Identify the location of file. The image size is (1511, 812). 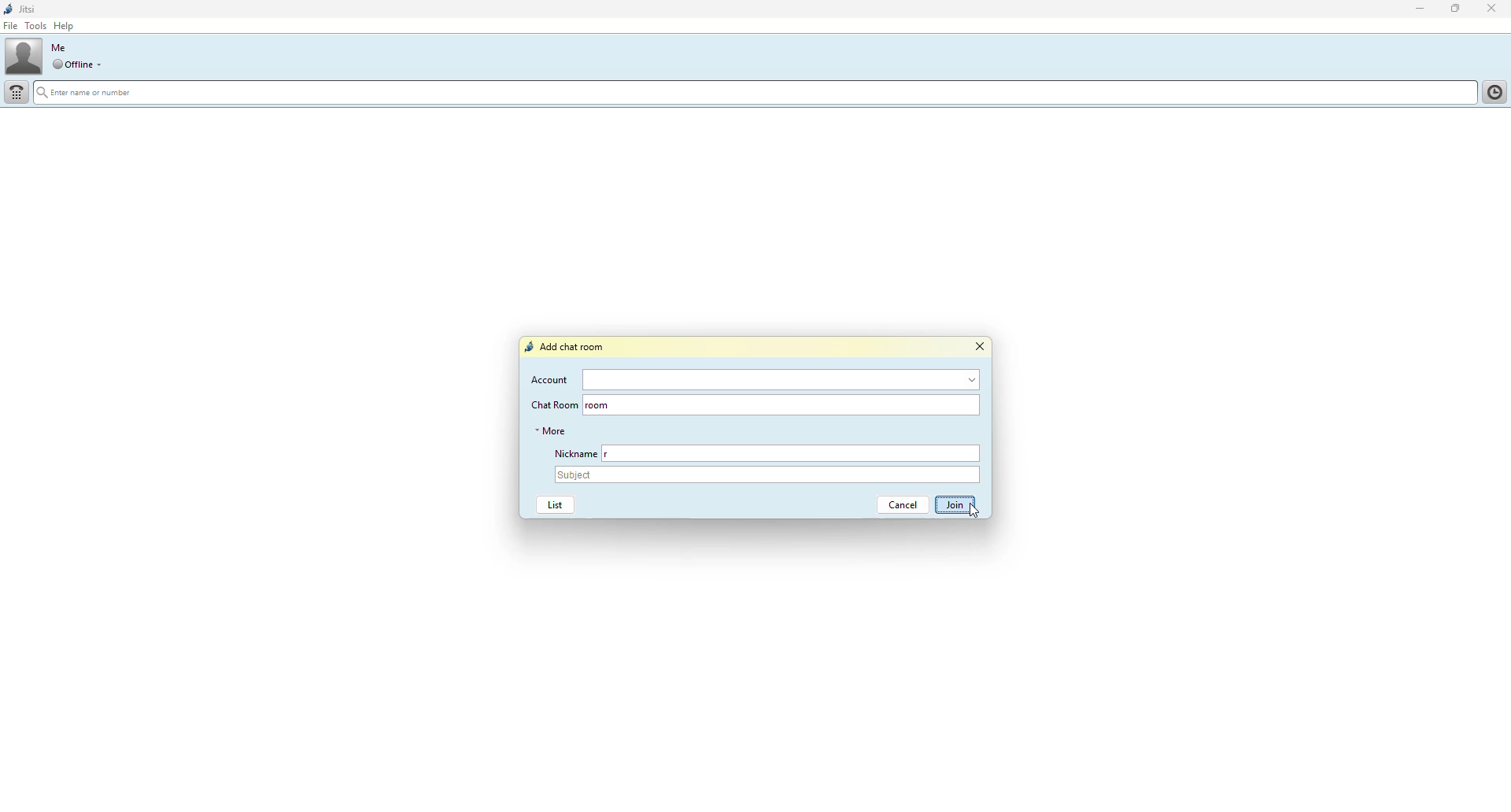
(11, 27).